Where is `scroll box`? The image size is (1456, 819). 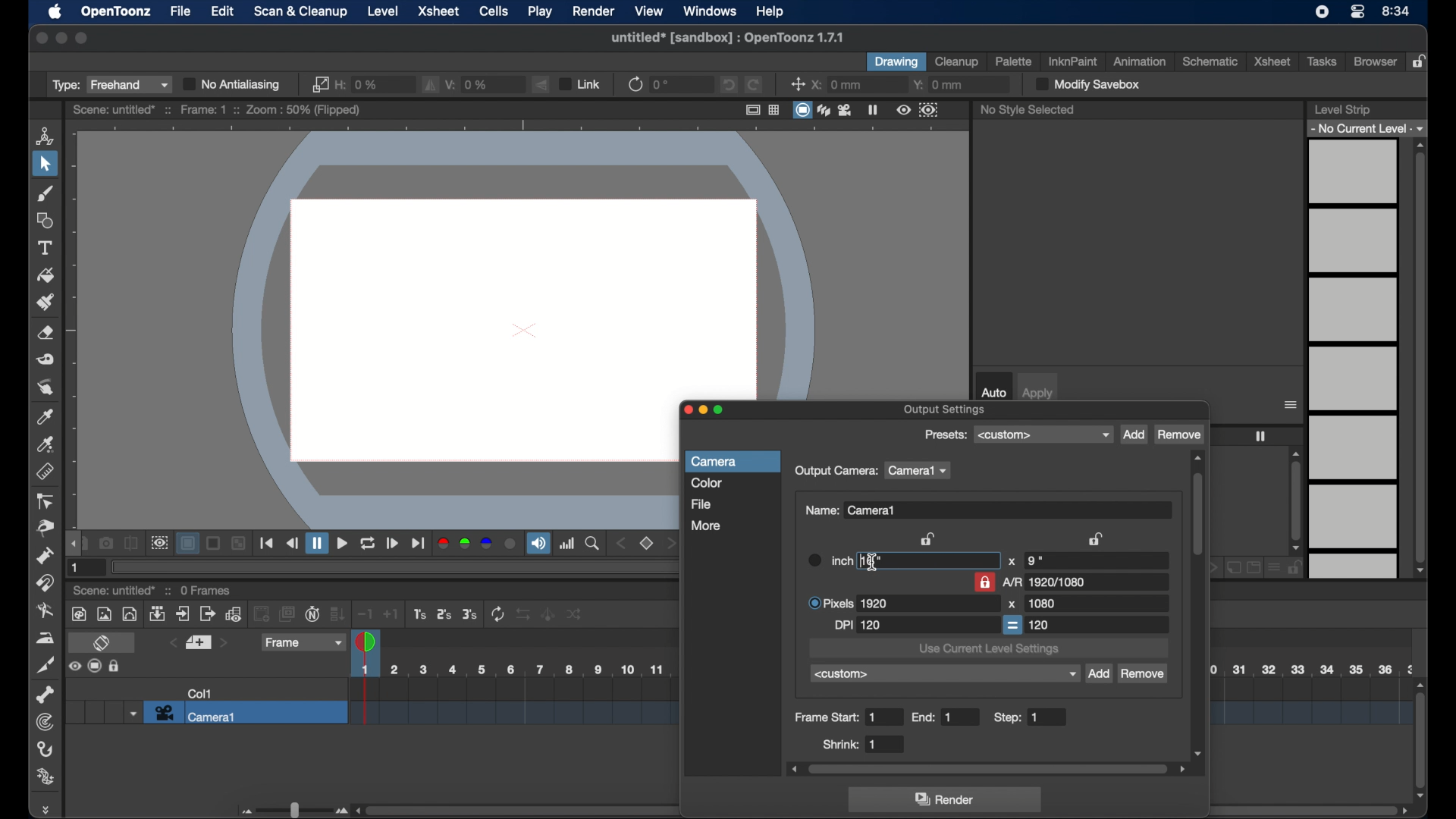 scroll box is located at coordinates (988, 769).